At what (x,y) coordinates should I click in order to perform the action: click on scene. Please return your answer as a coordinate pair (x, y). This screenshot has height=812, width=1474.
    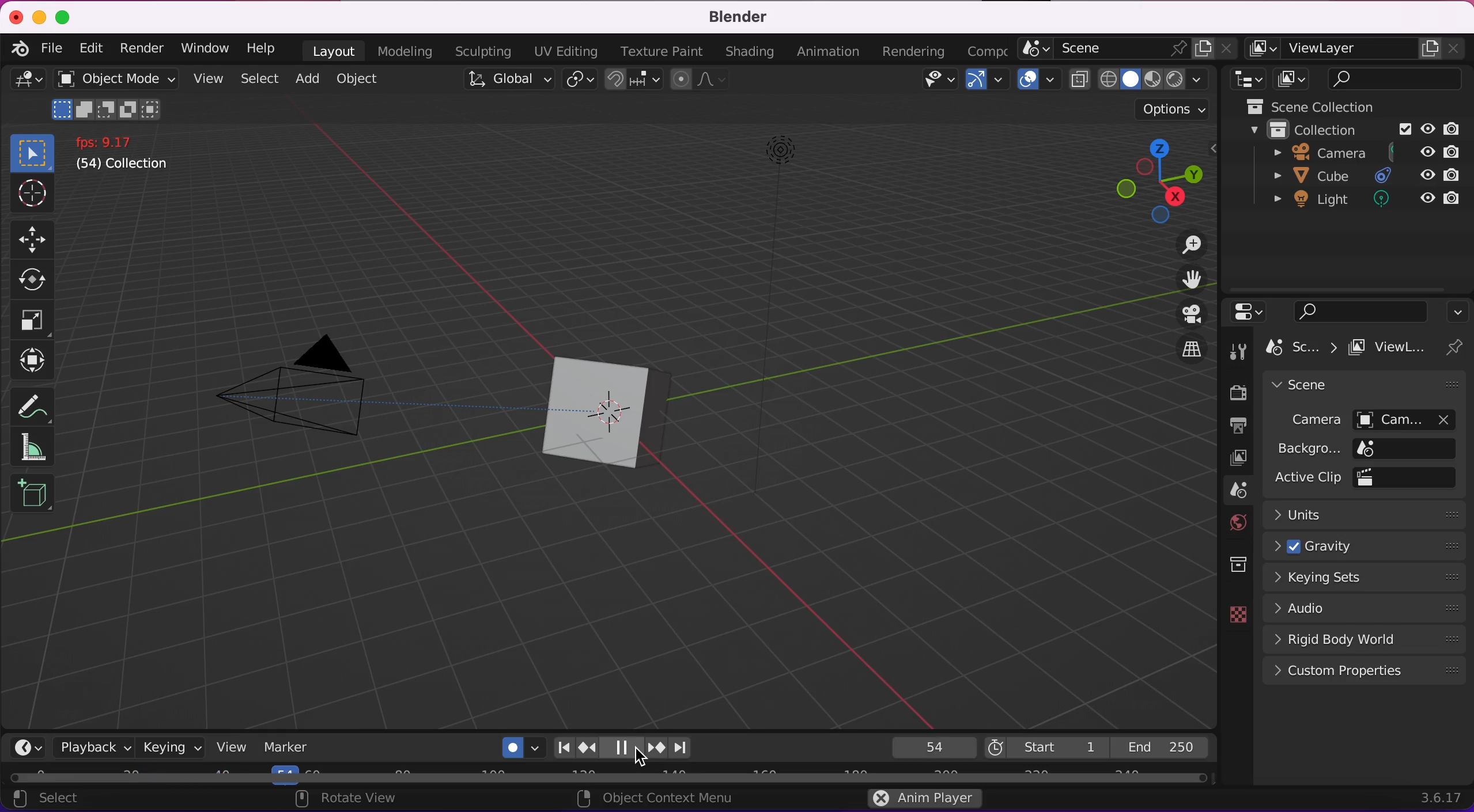
    Looking at the image, I should click on (1237, 491).